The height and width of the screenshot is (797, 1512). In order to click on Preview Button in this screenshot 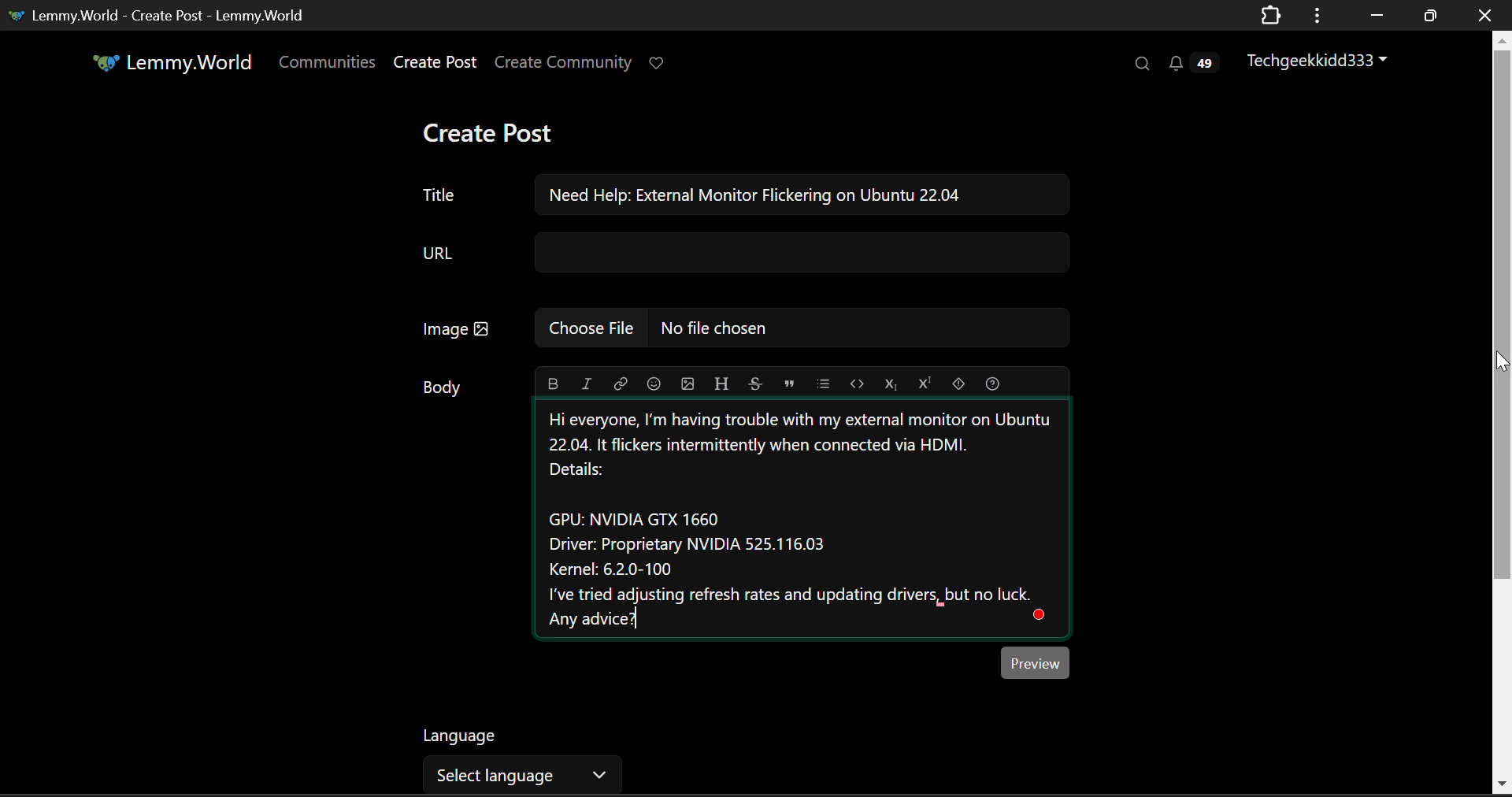, I will do `click(1036, 662)`.